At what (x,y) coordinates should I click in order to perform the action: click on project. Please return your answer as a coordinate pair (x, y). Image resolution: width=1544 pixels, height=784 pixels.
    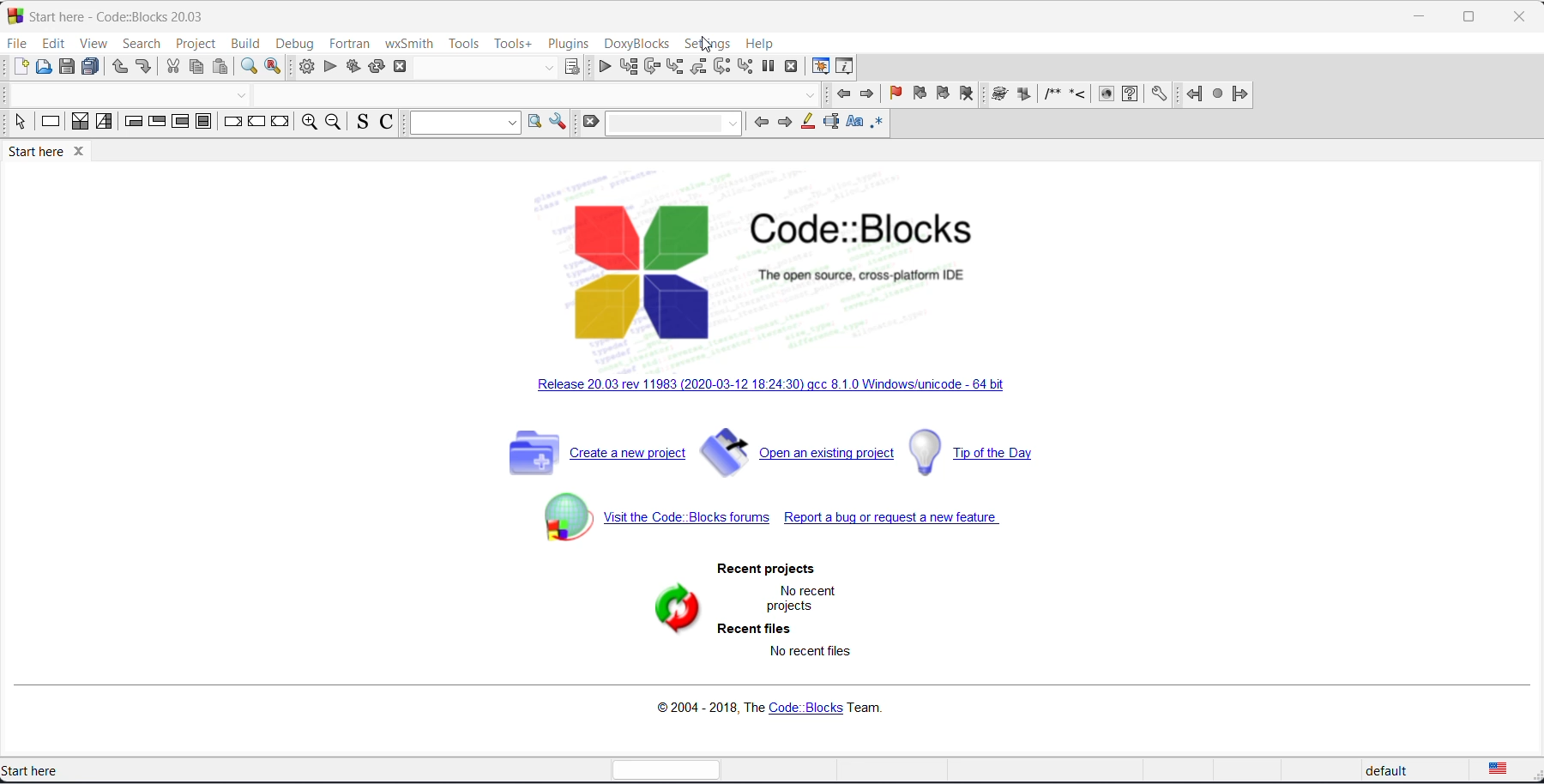
    Looking at the image, I should click on (196, 44).